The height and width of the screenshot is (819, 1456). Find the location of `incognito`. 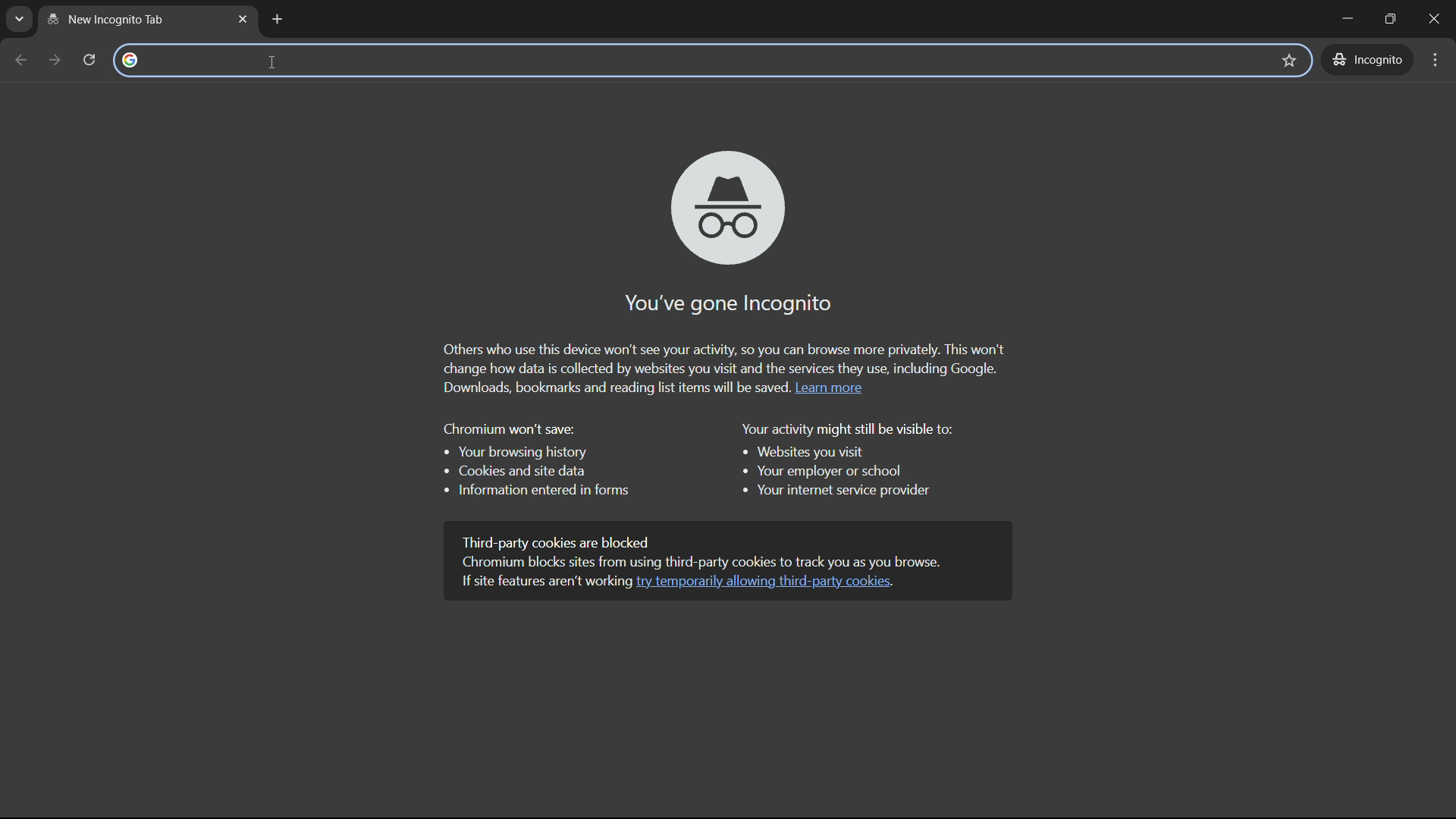

incognito is located at coordinates (1370, 60).